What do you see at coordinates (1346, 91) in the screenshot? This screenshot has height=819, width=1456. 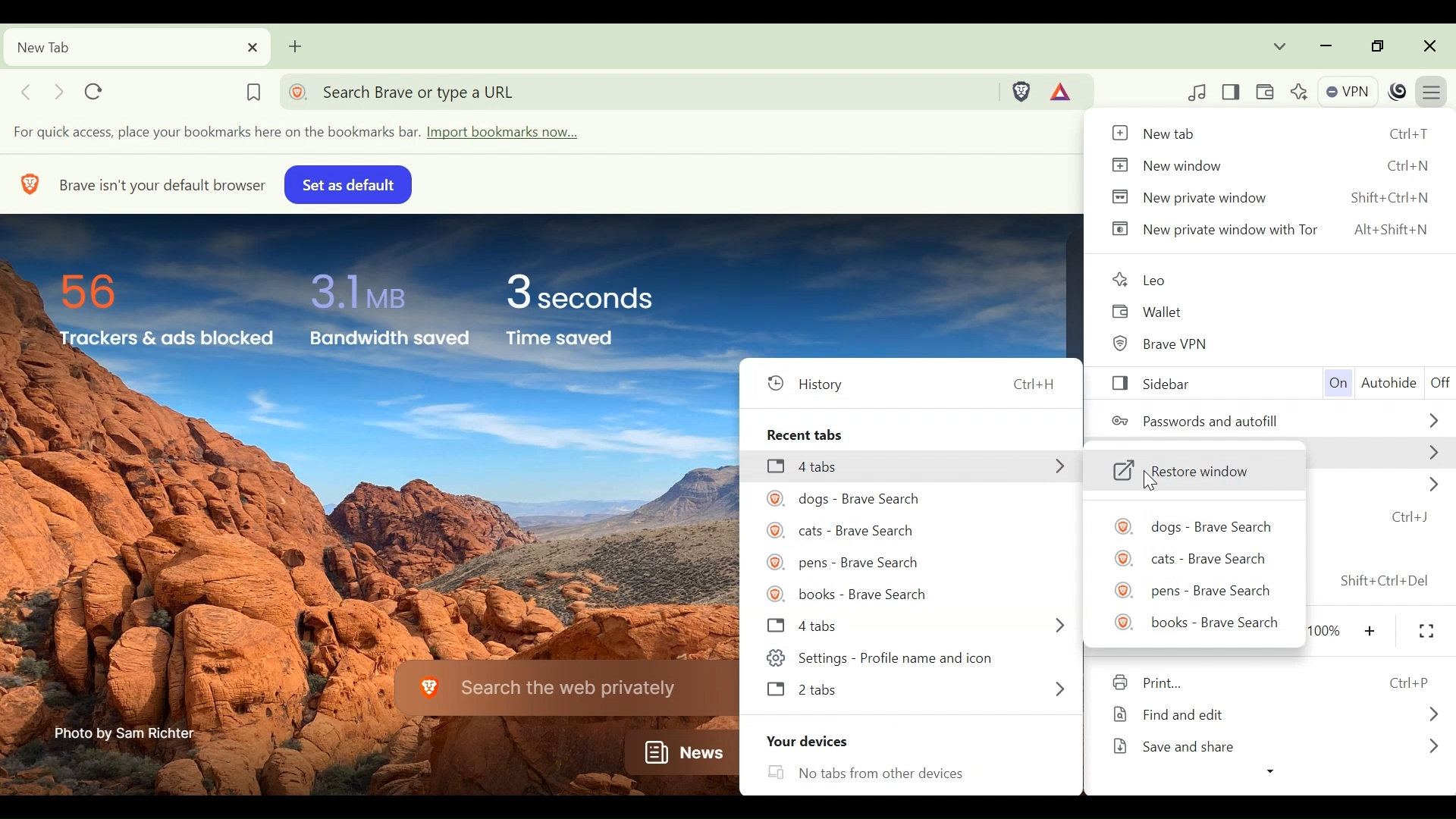 I see `VPN` at bounding box center [1346, 91].